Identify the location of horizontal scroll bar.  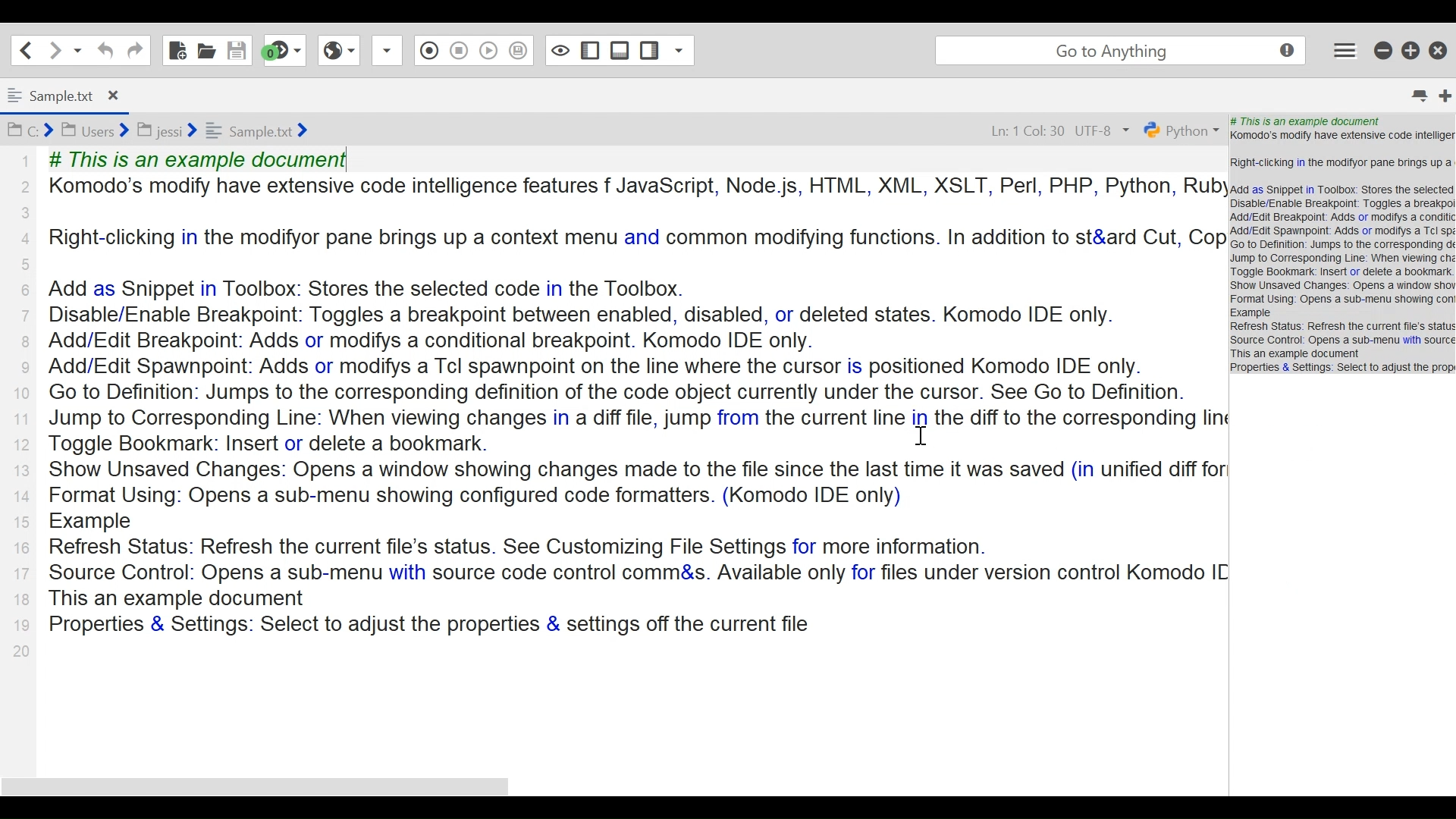
(318, 786).